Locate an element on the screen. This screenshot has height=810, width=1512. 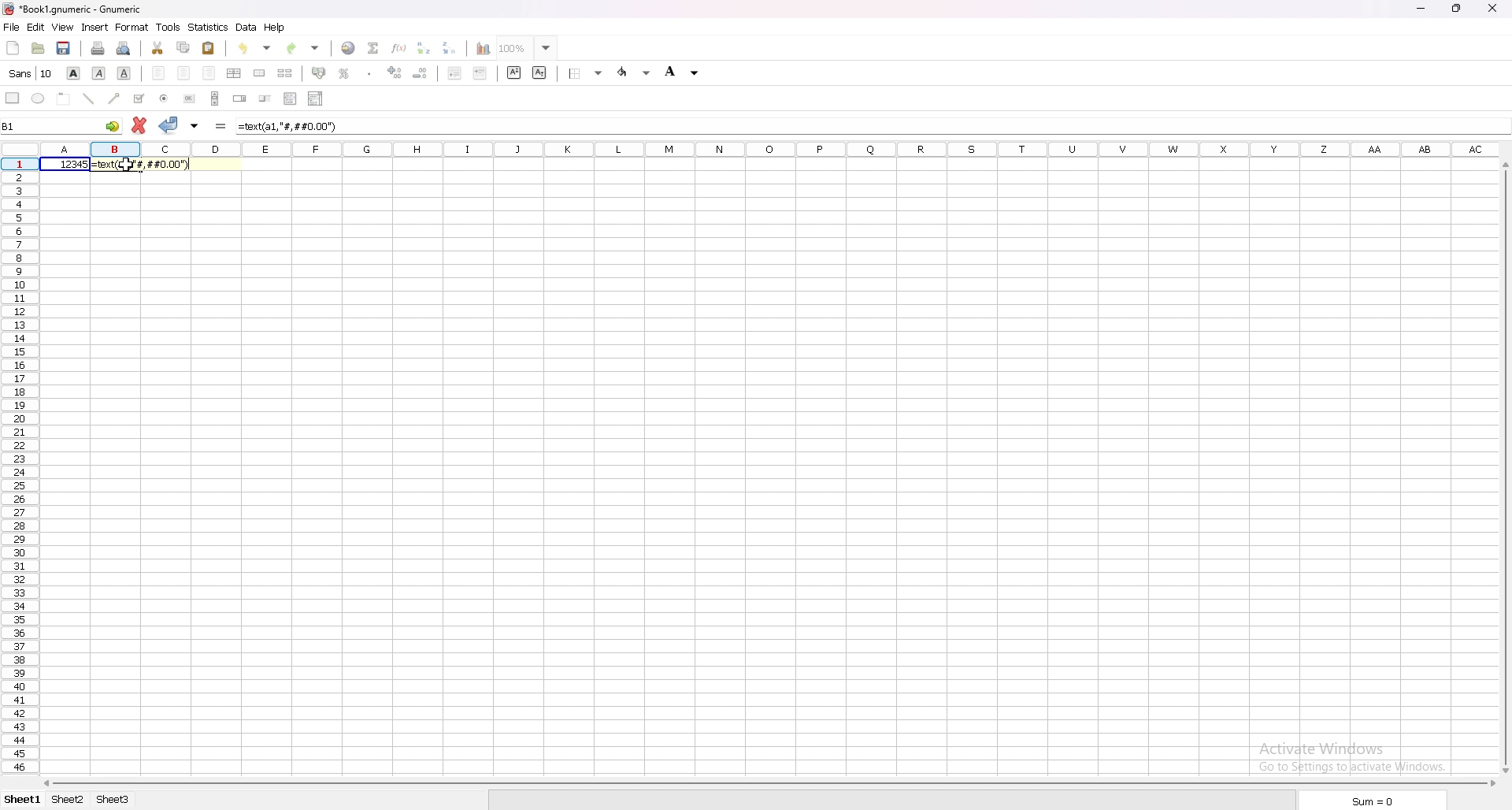
combo box is located at coordinates (316, 98).